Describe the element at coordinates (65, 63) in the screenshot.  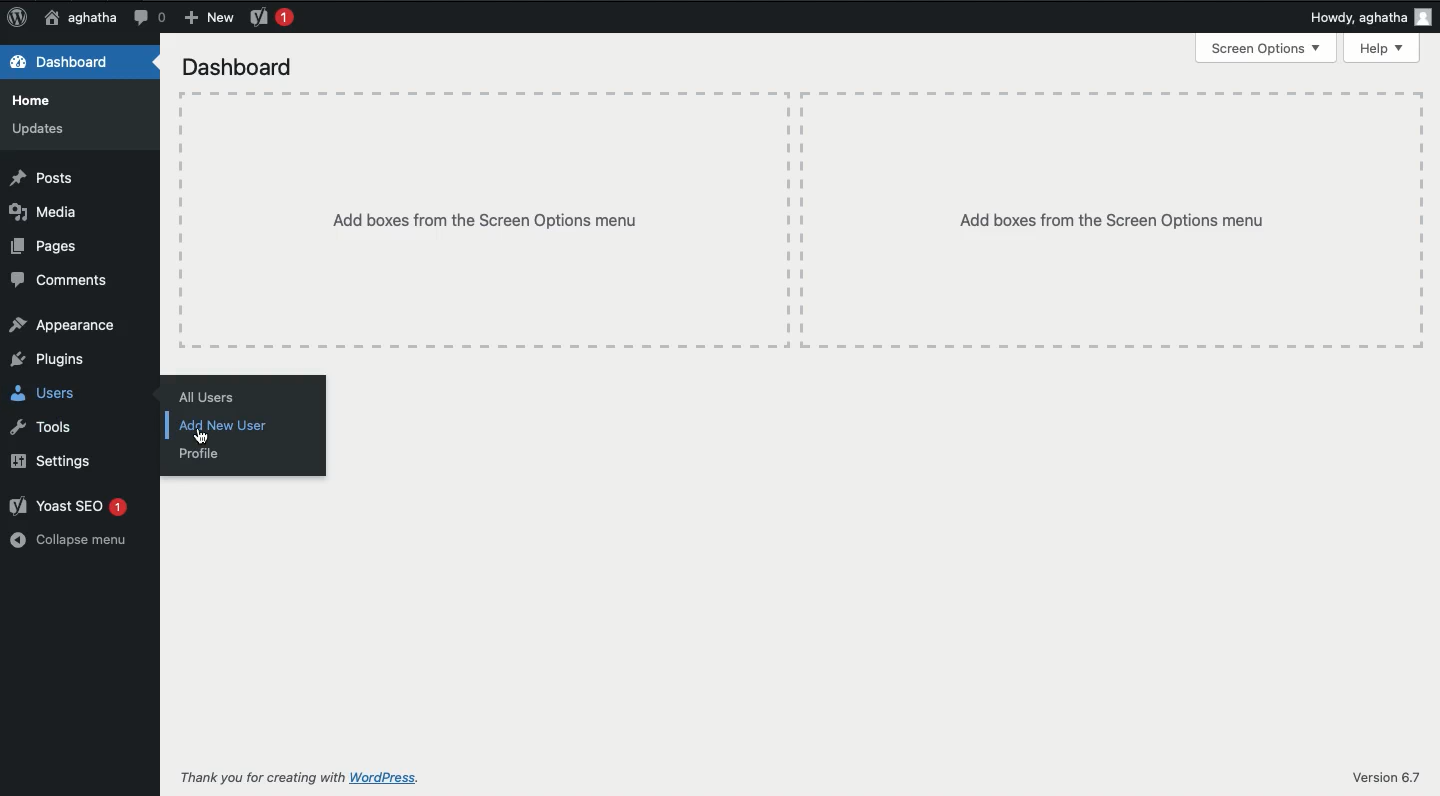
I see `Dashboard` at that location.